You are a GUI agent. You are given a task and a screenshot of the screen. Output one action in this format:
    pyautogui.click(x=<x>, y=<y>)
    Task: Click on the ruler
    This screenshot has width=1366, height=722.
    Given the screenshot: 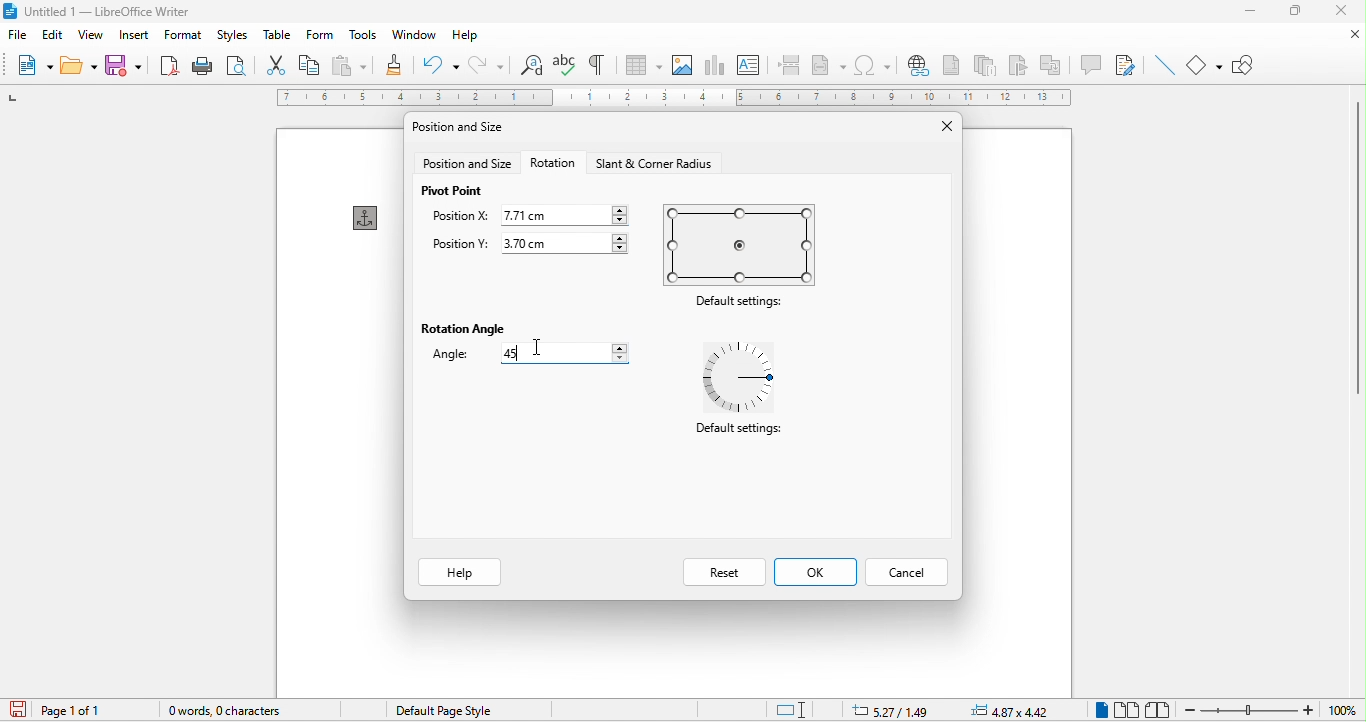 What is the action you would take?
    pyautogui.click(x=675, y=97)
    